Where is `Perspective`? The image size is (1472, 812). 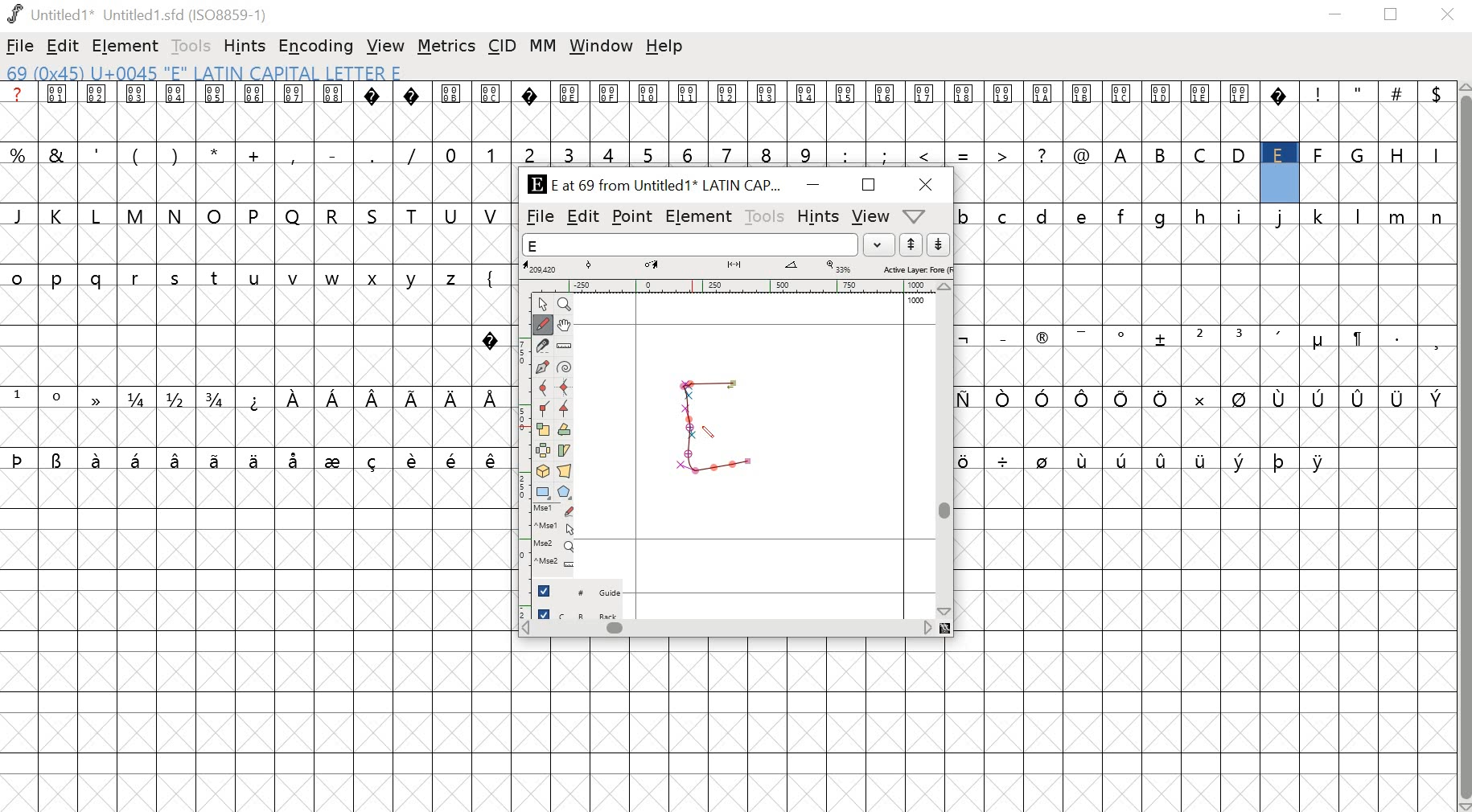 Perspective is located at coordinates (566, 473).